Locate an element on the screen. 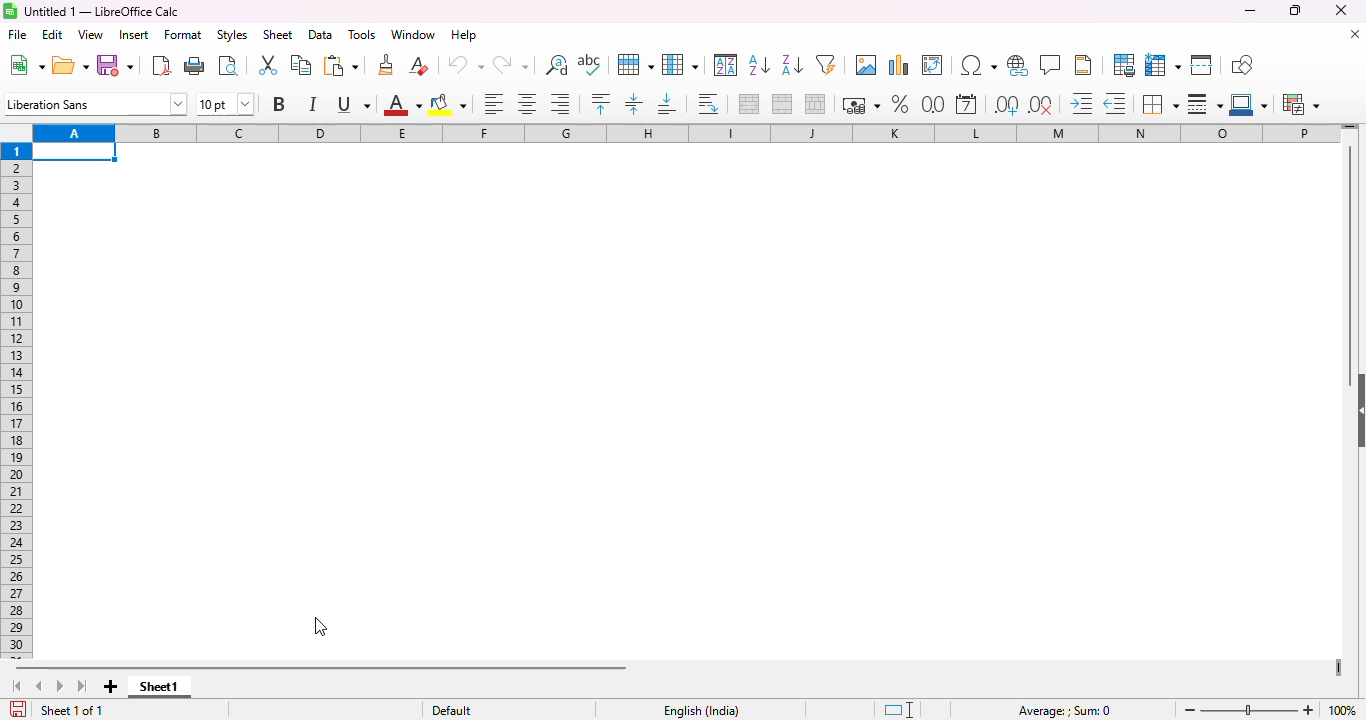 This screenshot has height=720, width=1366. clone formatting is located at coordinates (385, 64).